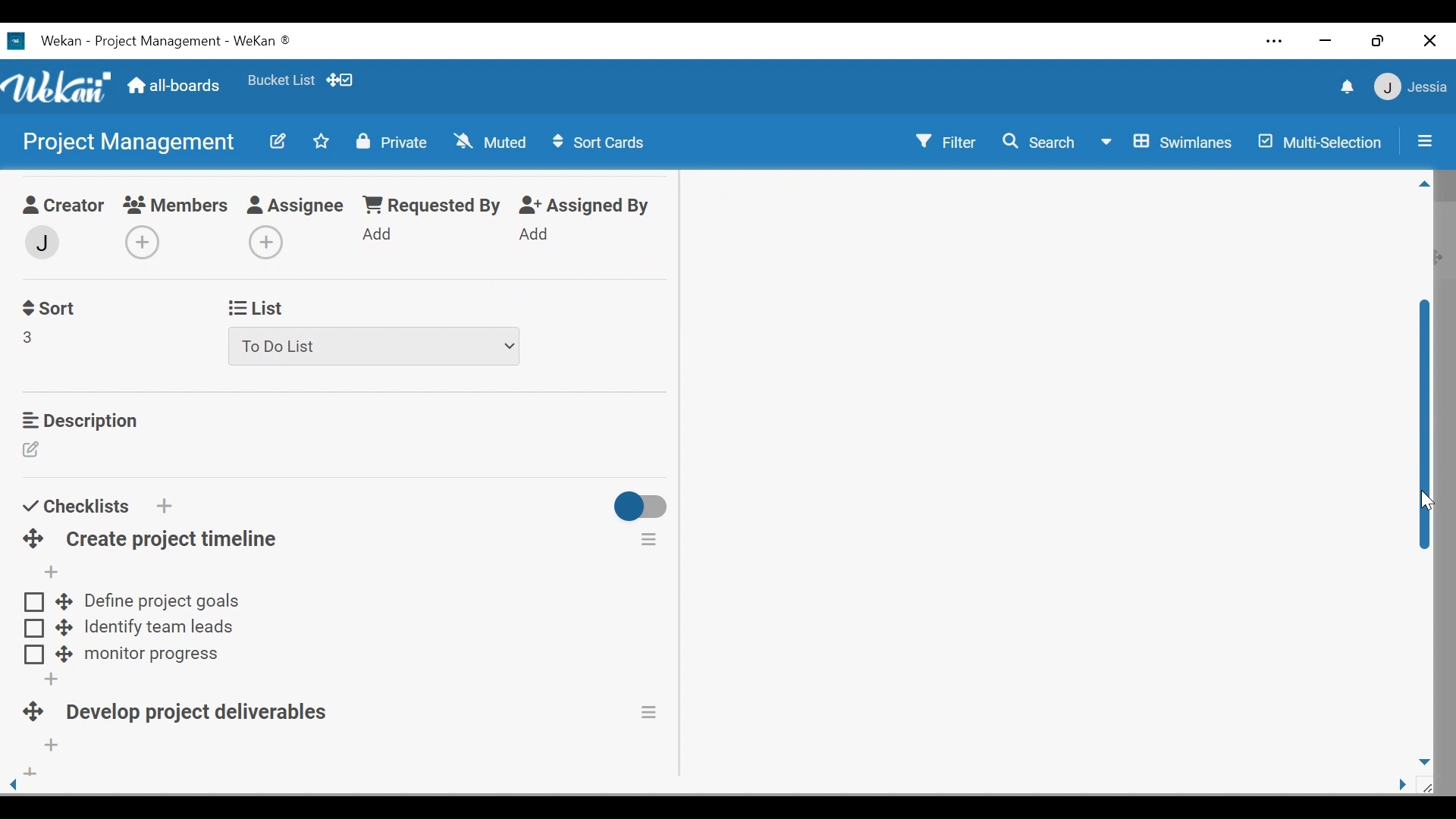 Image resolution: width=1456 pixels, height=819 pixels. I want to click on Open/Close Sidebar, so click(1423, 140).